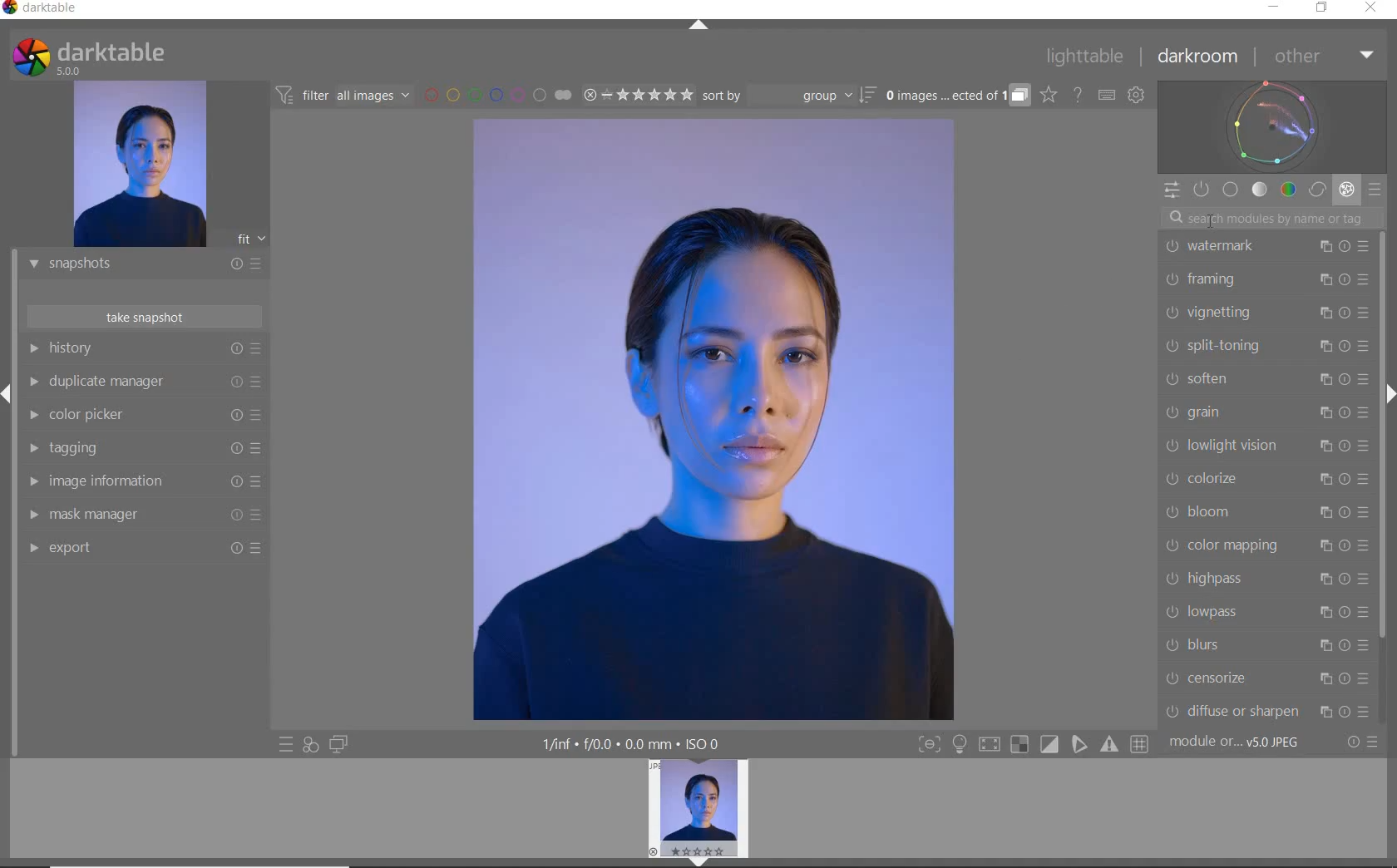  Describe the element at coordinates (1266, 580) in the screenshot. I see `HIGHPASS` at that location.